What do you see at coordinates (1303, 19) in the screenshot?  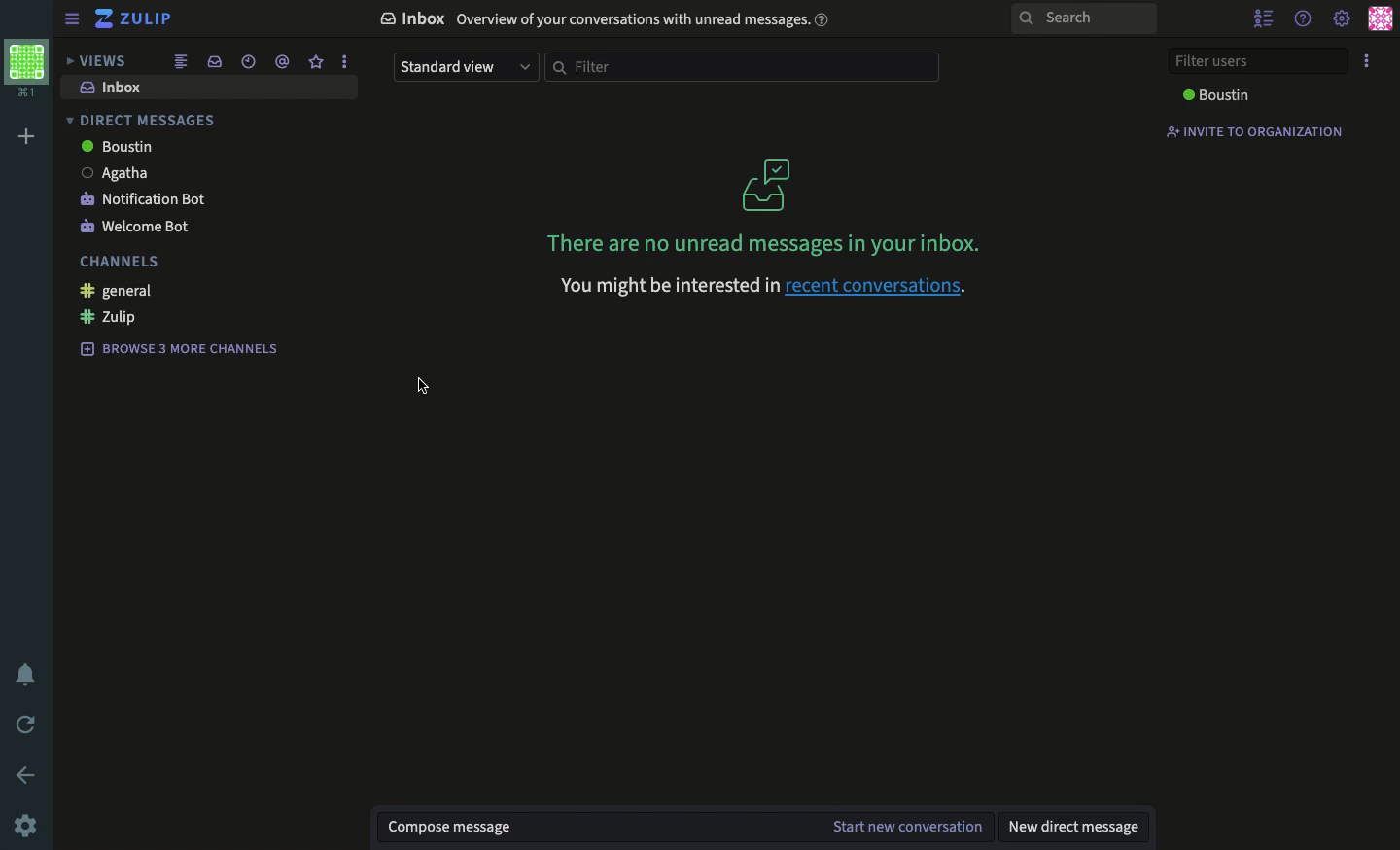 I see `help` at bounding box center [1303, 19].